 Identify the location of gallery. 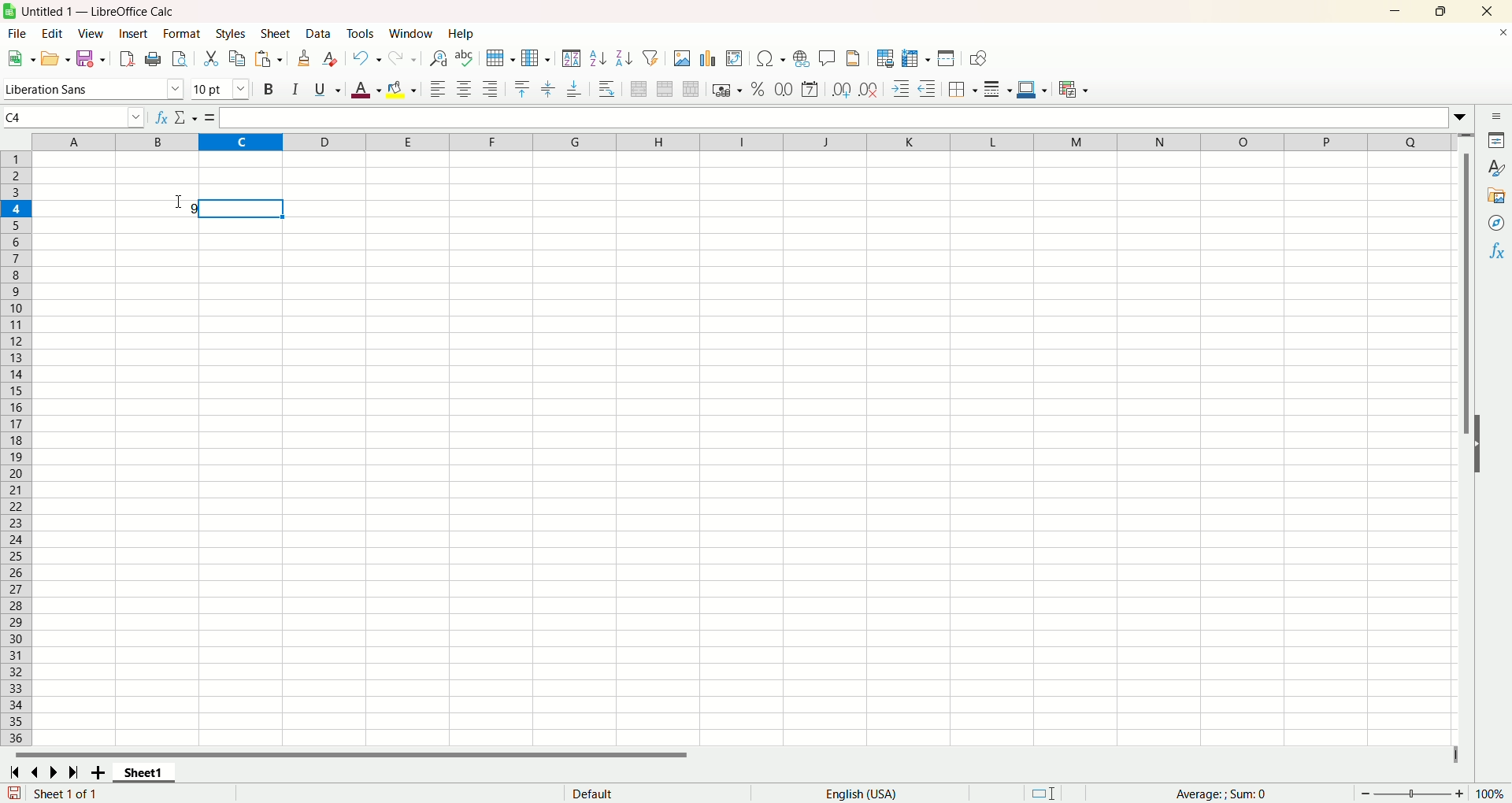
(1496, 196).